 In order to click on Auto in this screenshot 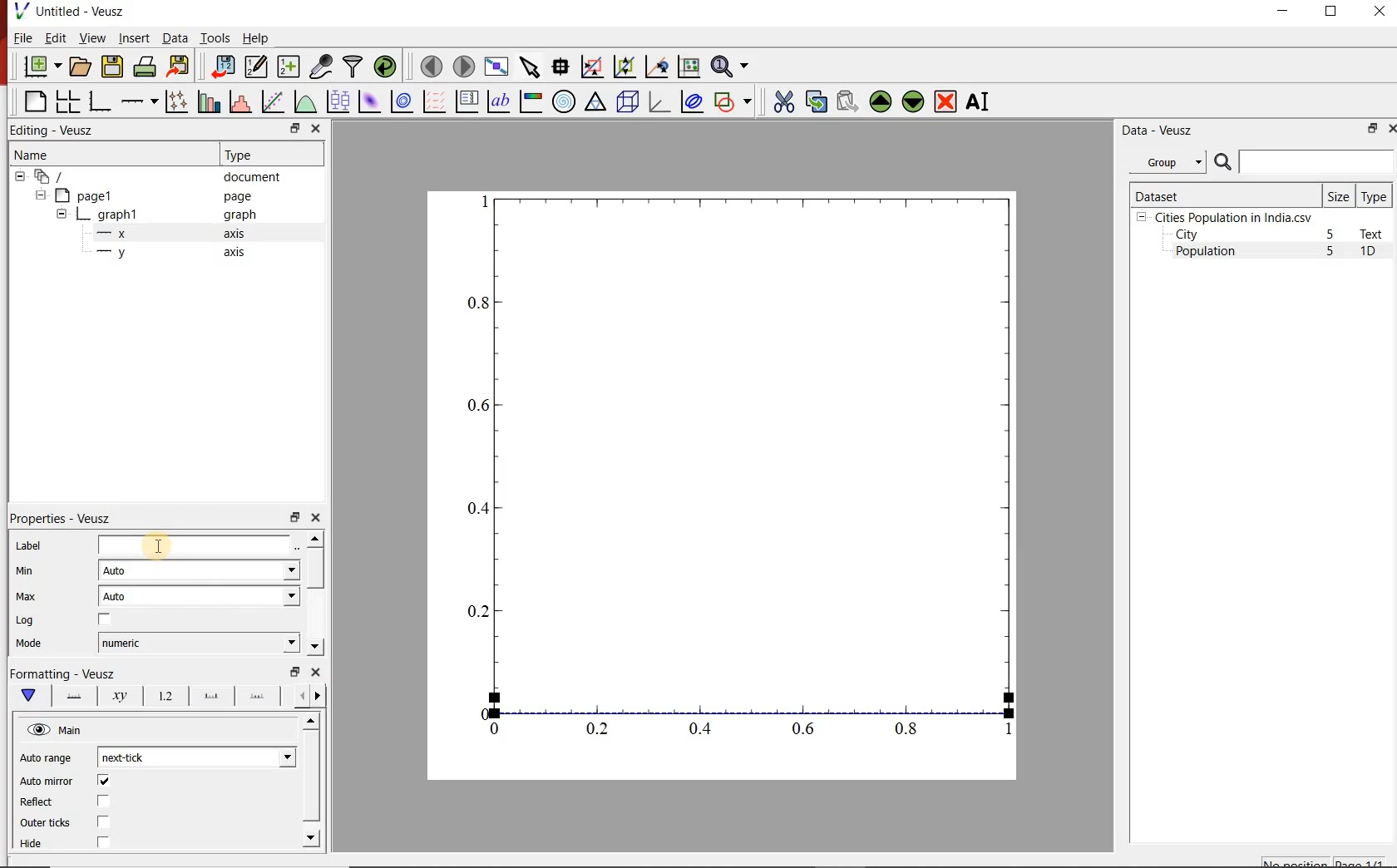, I will do `click(199, 596)`.